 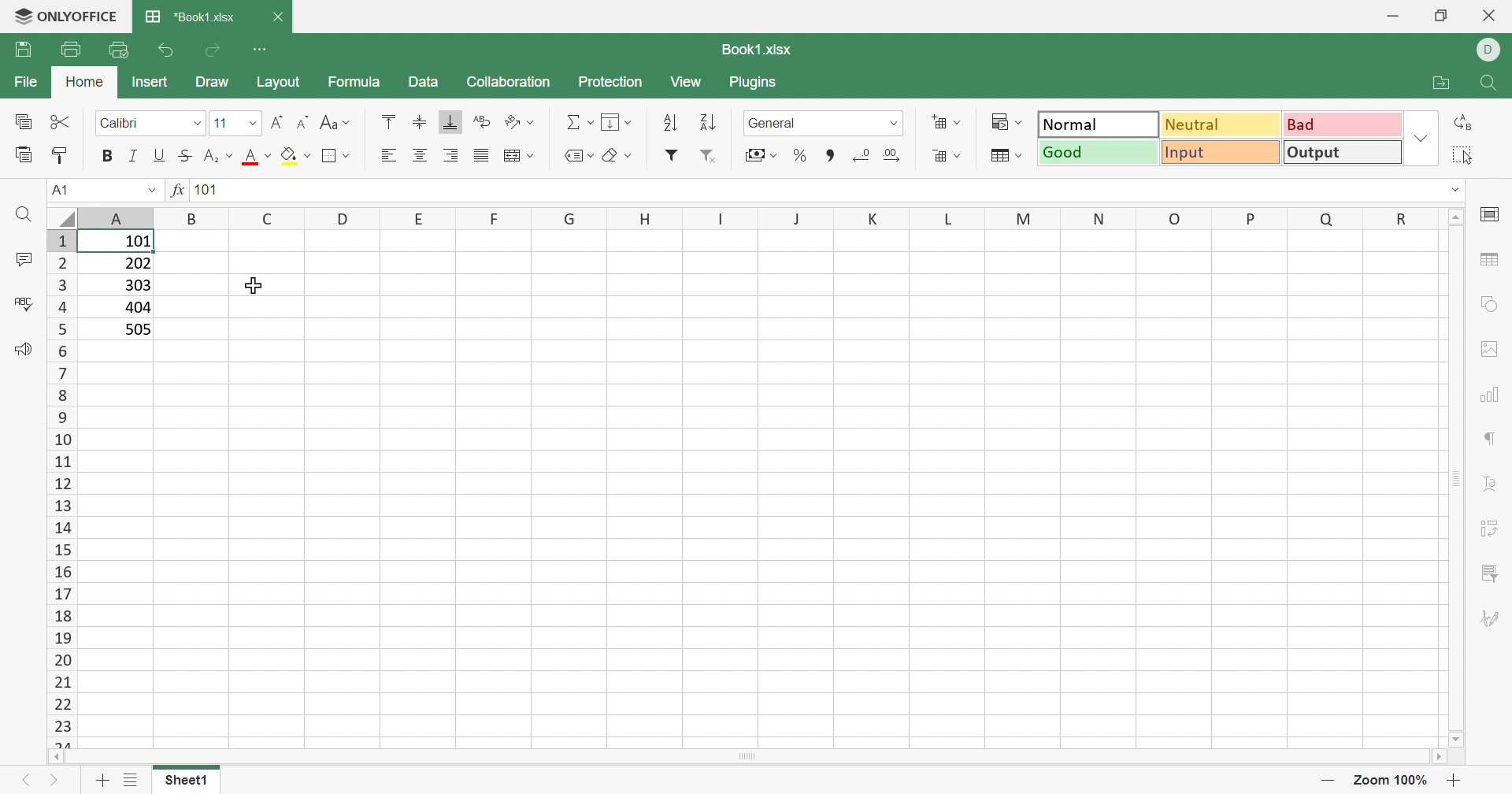 I want to click on Named ranges, so click(x=575, y=155).